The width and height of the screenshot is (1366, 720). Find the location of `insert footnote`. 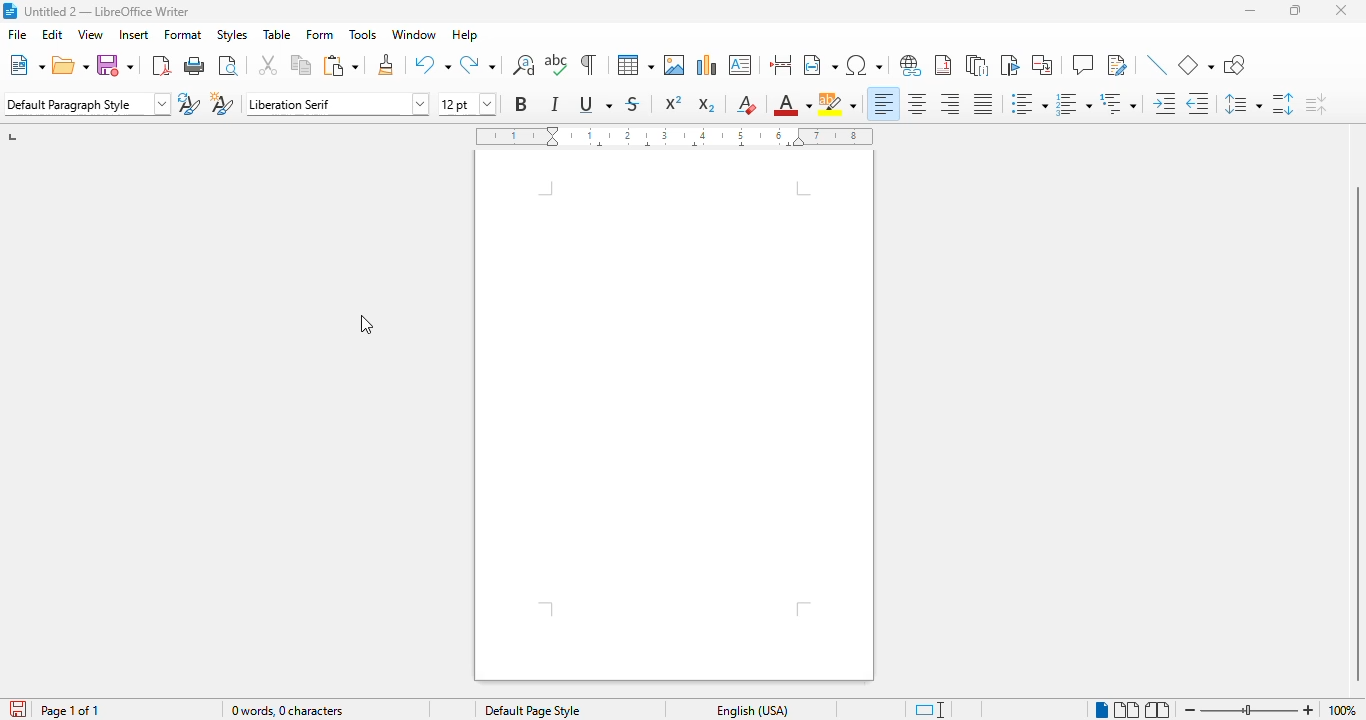

insert footnote is located at coordinates (943, 65).